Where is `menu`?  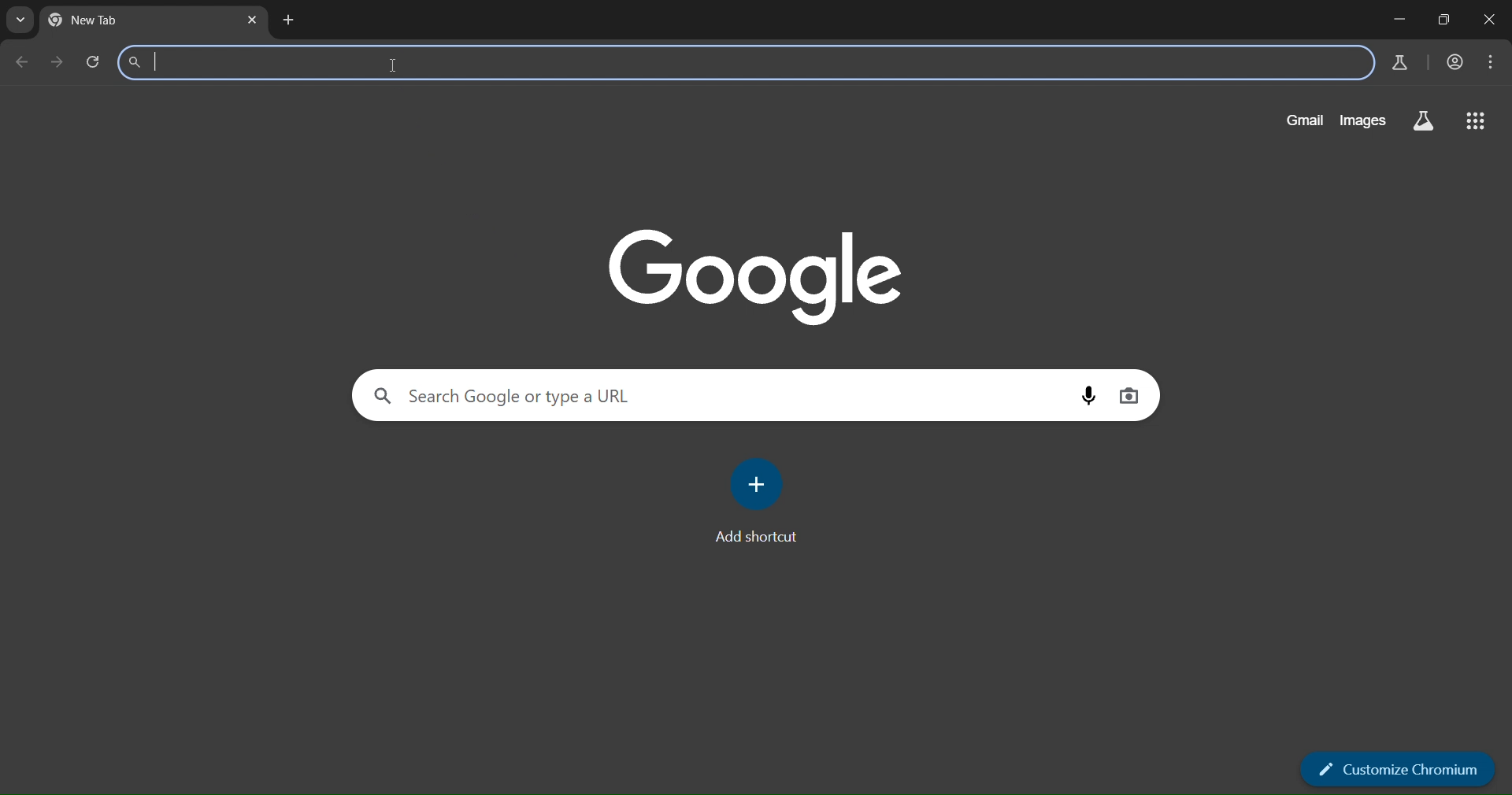 menu is located at coordinates (1492, 62).